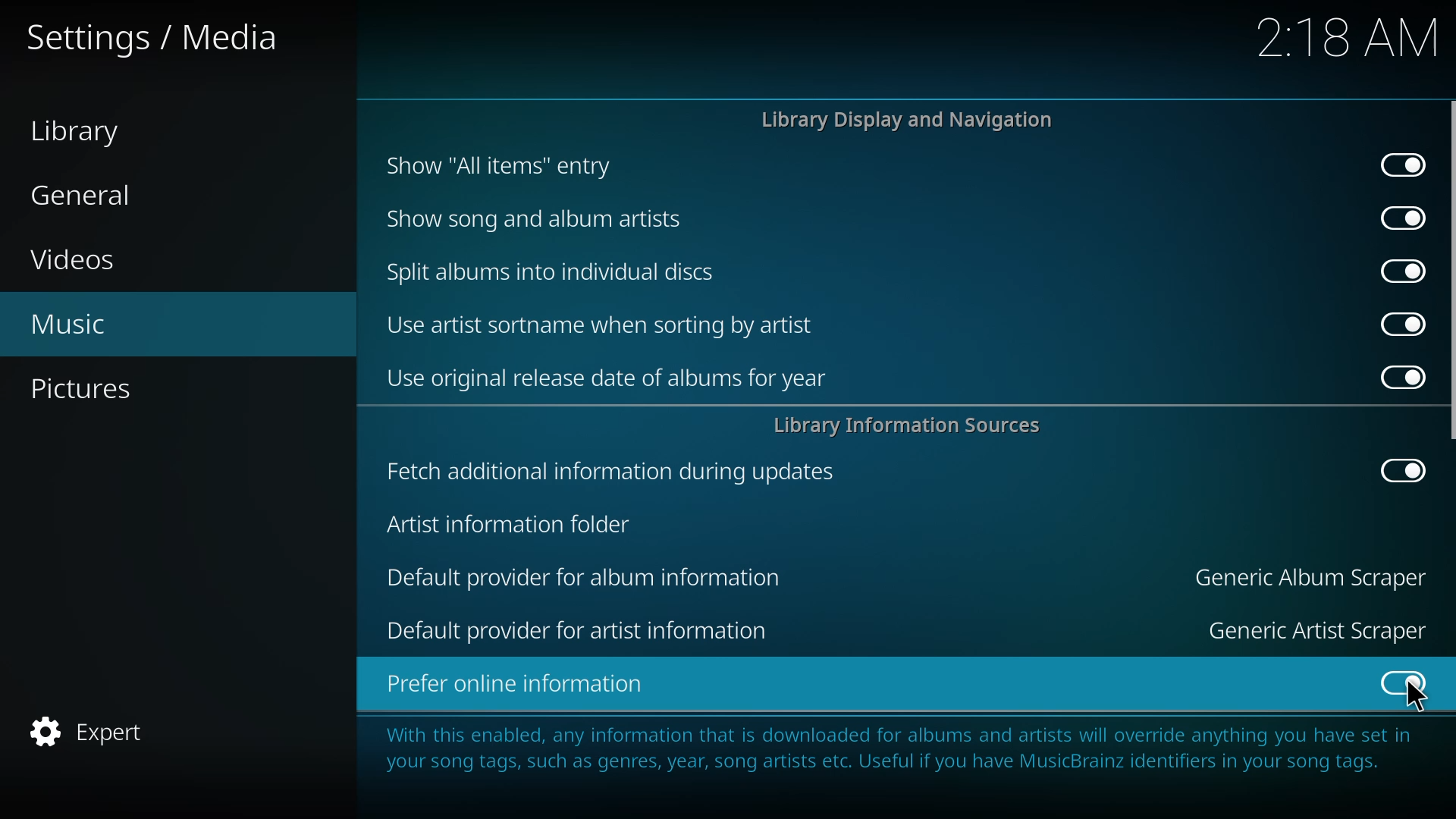  I want to click on info, so click(899, 752).